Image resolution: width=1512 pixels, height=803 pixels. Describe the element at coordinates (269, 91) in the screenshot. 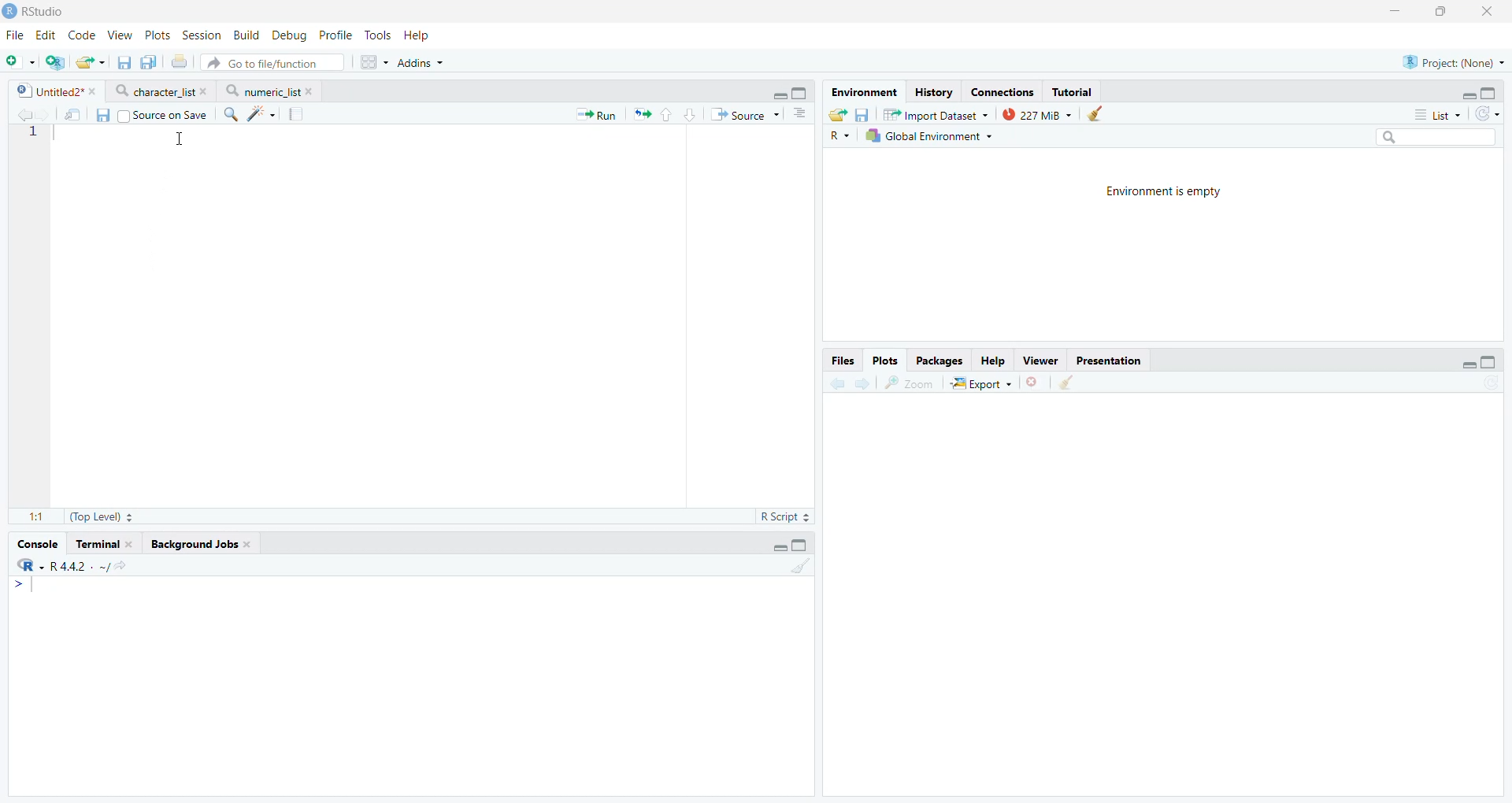

I see `numeric_list` at that location.